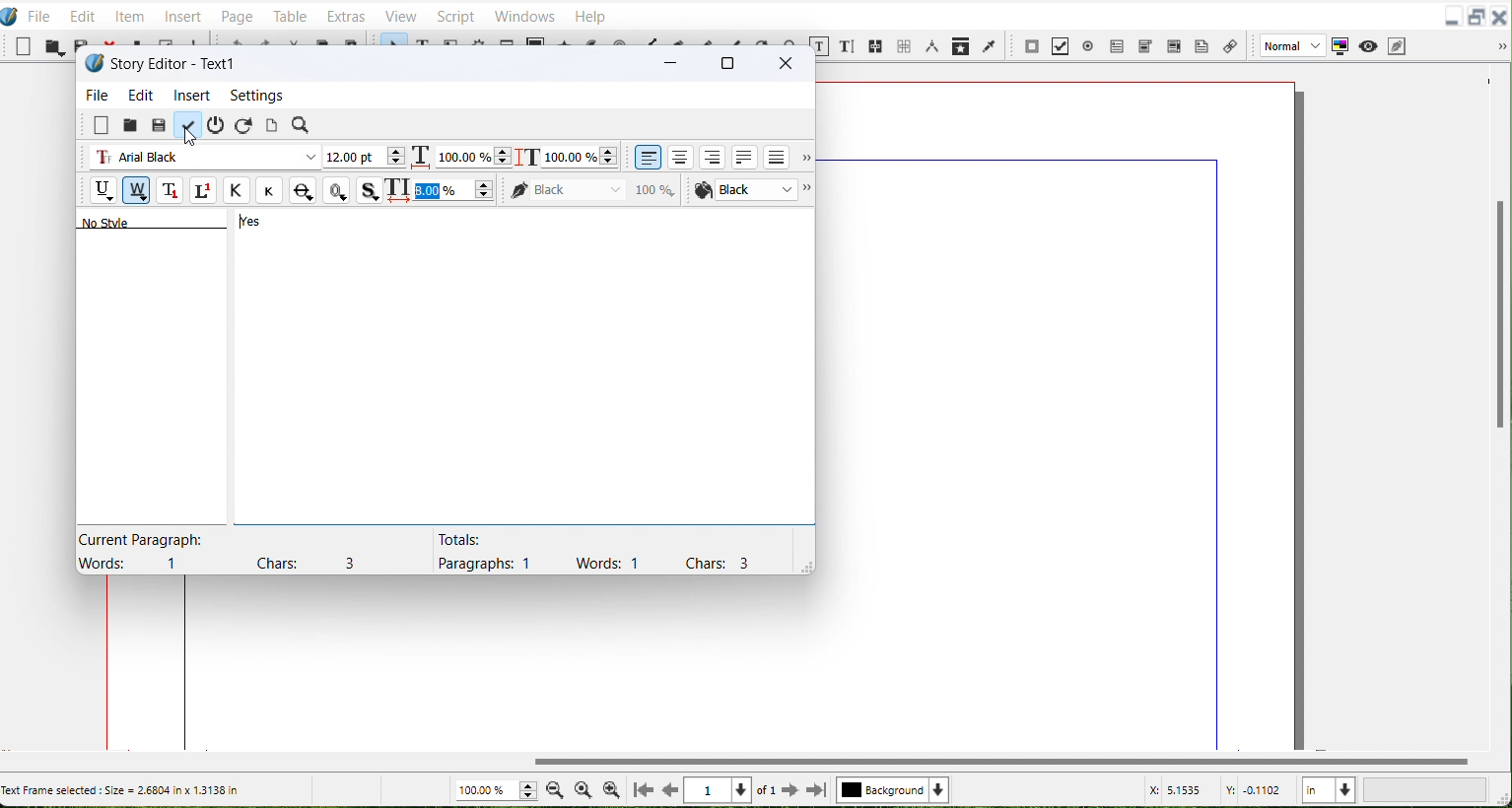  Describe the element at coordinates (1018, 161) in the screenshot. I see `top margin` at that location.